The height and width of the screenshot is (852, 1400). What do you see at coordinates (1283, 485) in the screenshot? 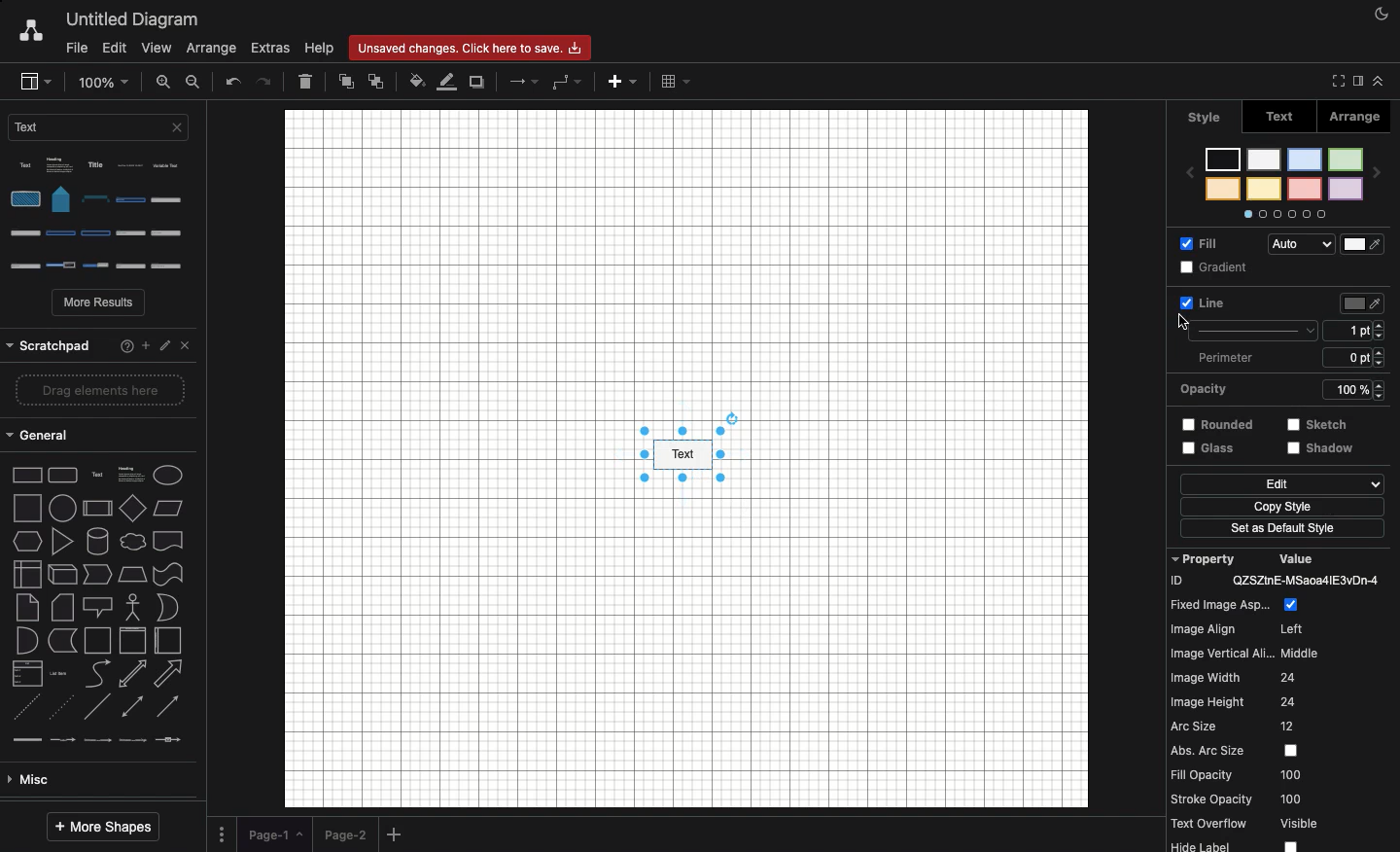
I see `Copy style` at bounding box center [1283, 485].